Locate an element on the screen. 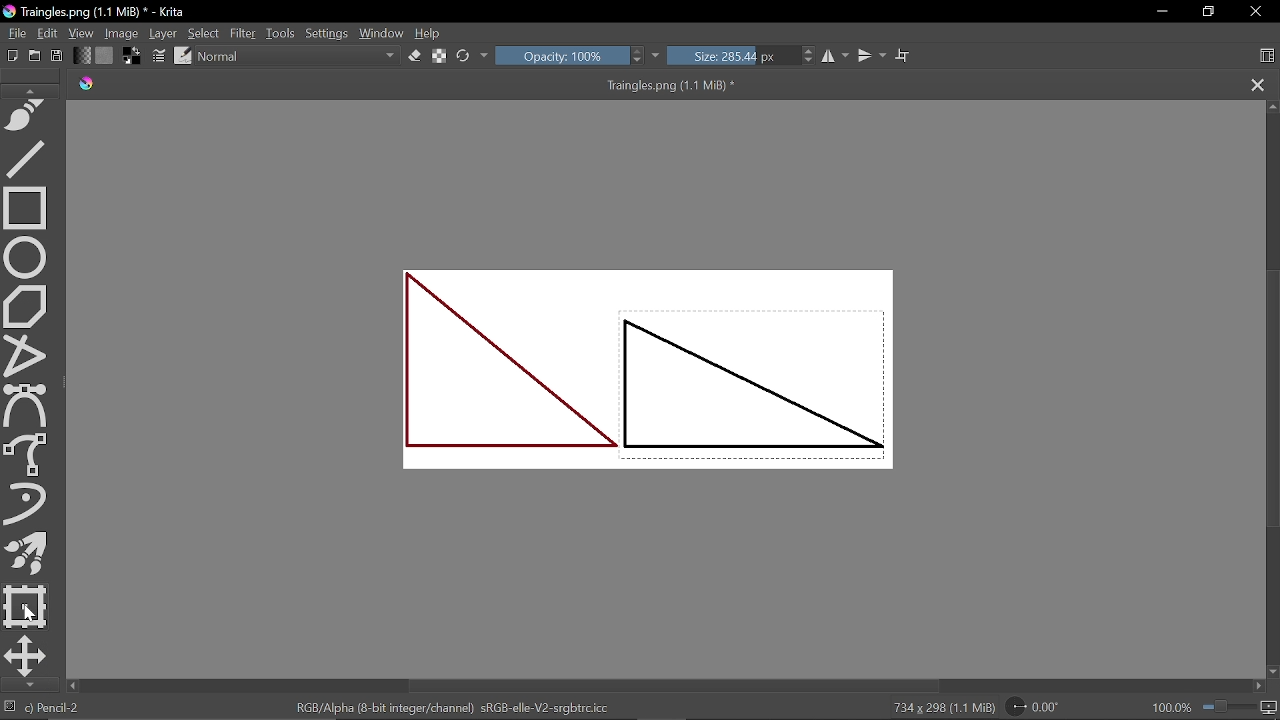  Wrap text tool is located at coordinates (904, 56).